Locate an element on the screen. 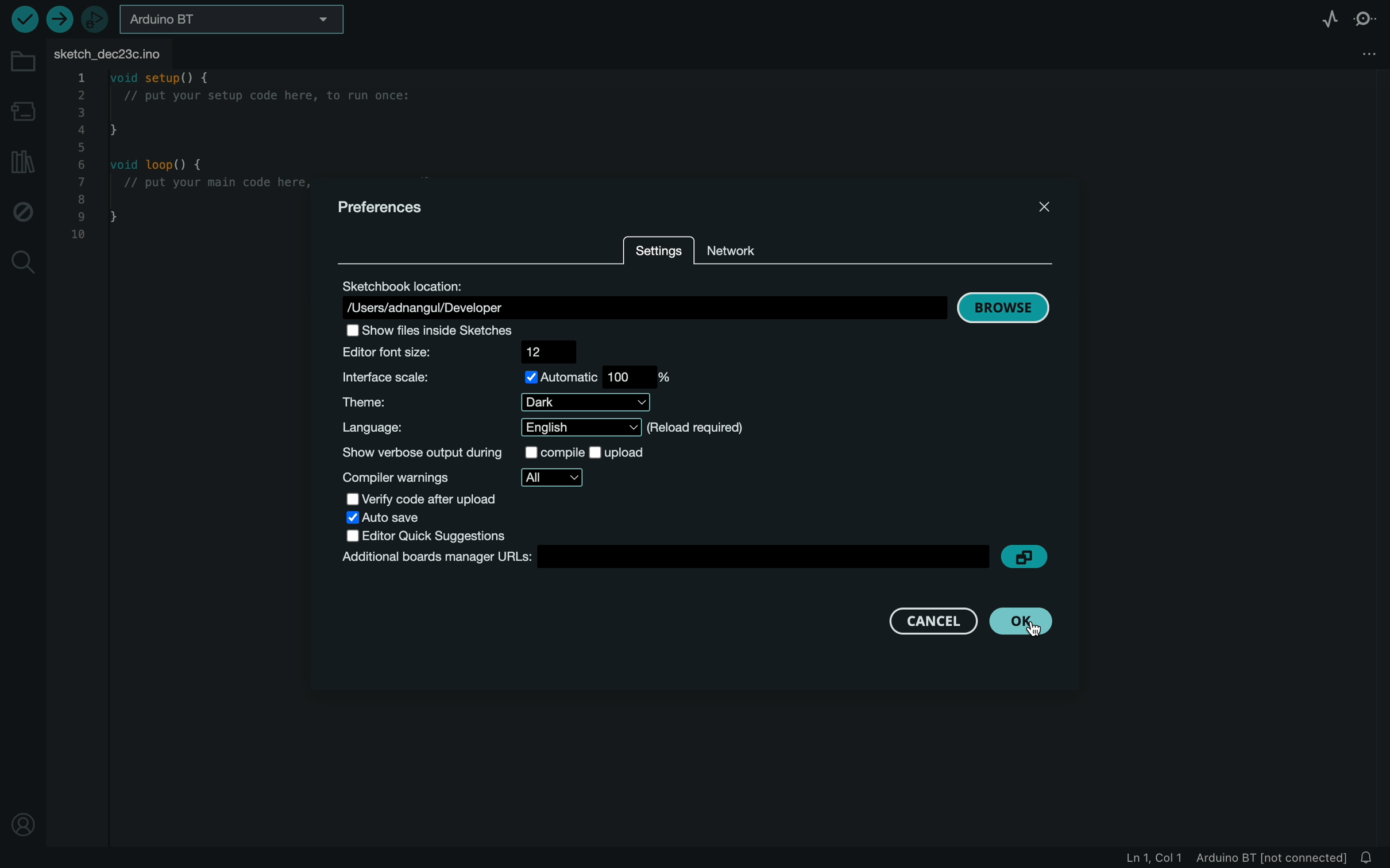 This screenshot has height=868, width=1390. wditor quick suggestion is located at coordinates (435, 533).